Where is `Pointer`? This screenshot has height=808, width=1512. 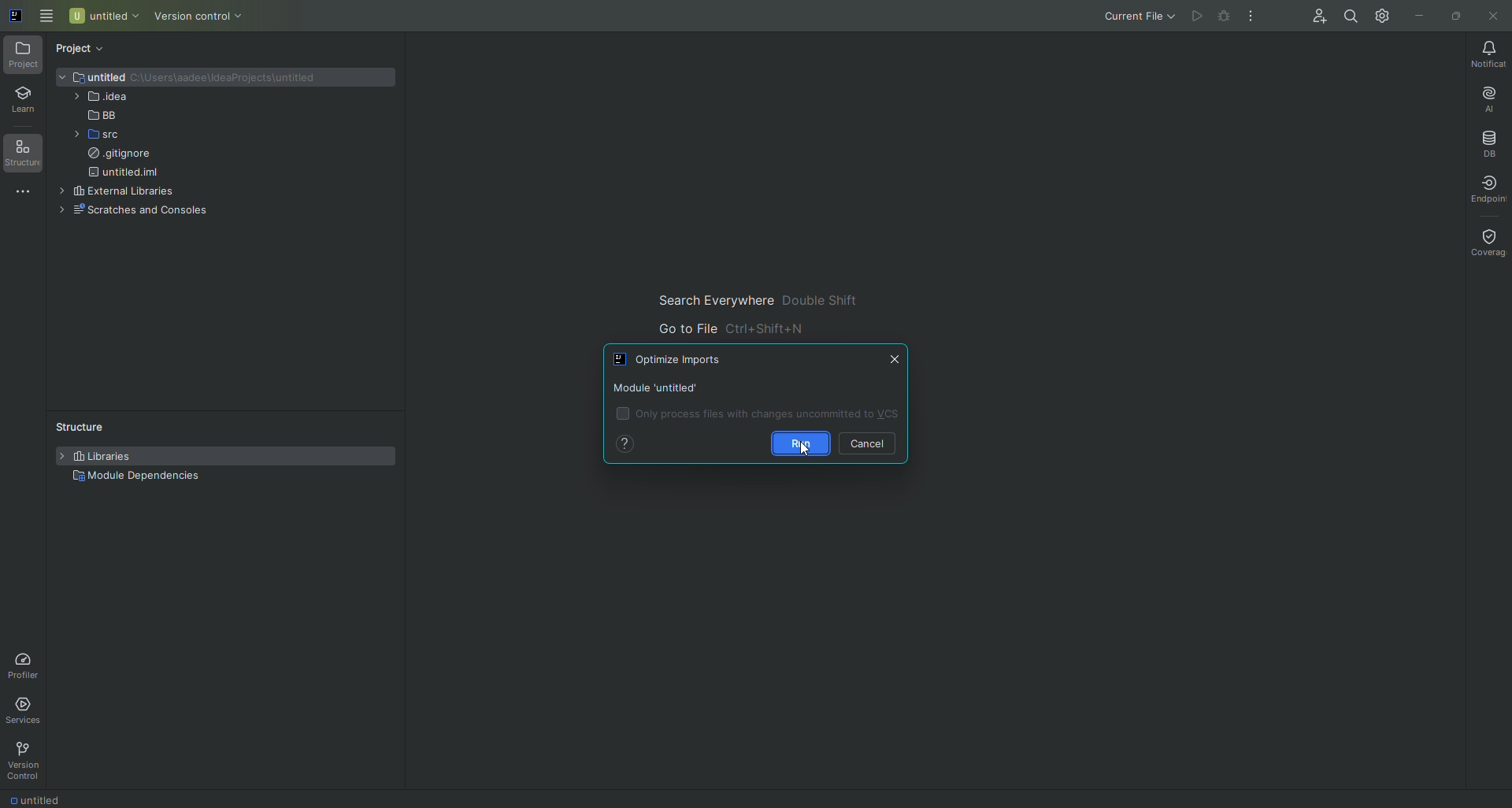
Pointer is located at coordinates (803, 454).